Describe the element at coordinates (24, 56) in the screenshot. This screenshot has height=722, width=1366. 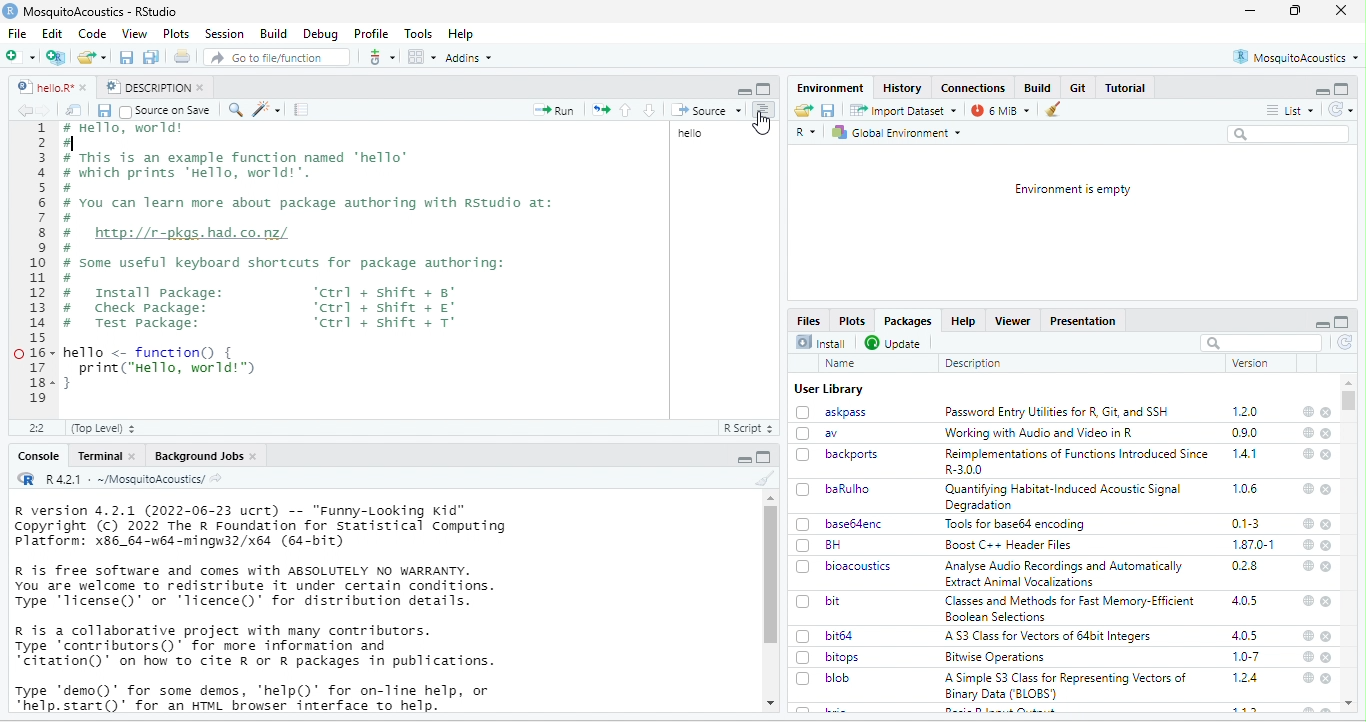
I see `New file` at that location.